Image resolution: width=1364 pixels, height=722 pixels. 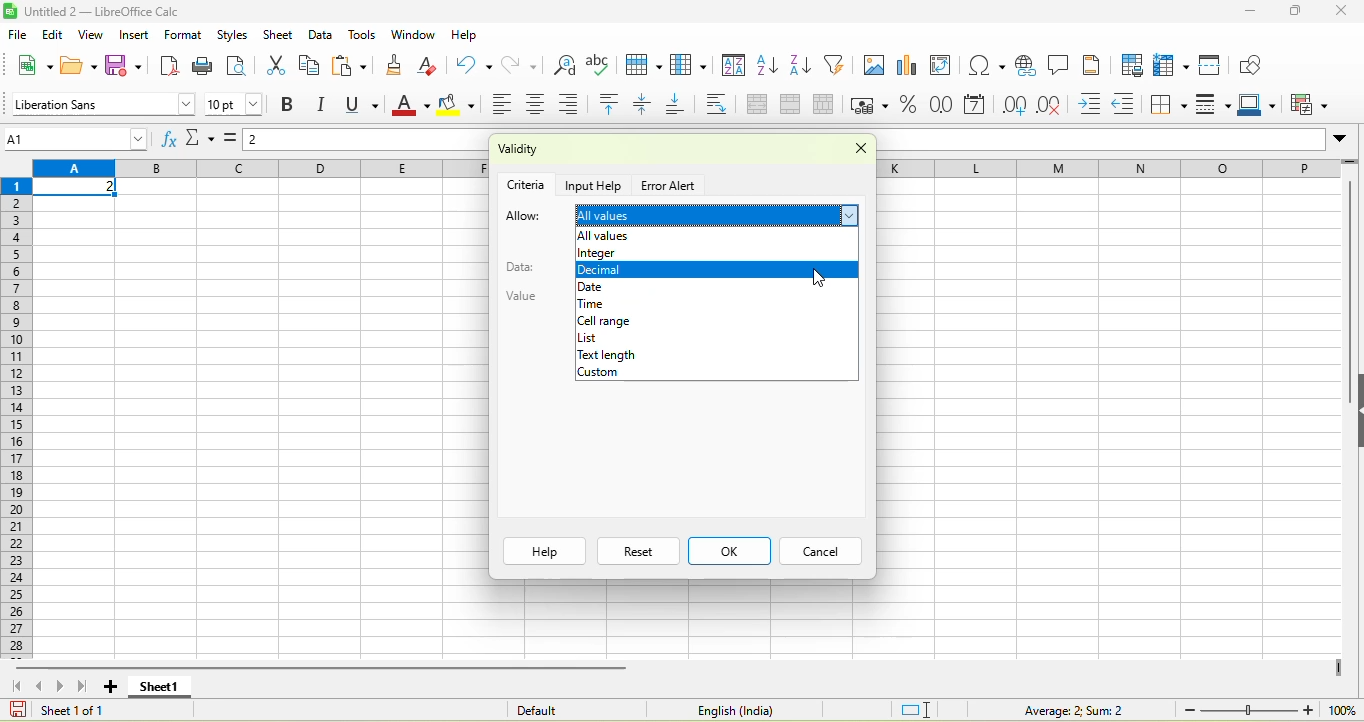 I want to click on scroll to first sheet, so click(x=15, y=685).